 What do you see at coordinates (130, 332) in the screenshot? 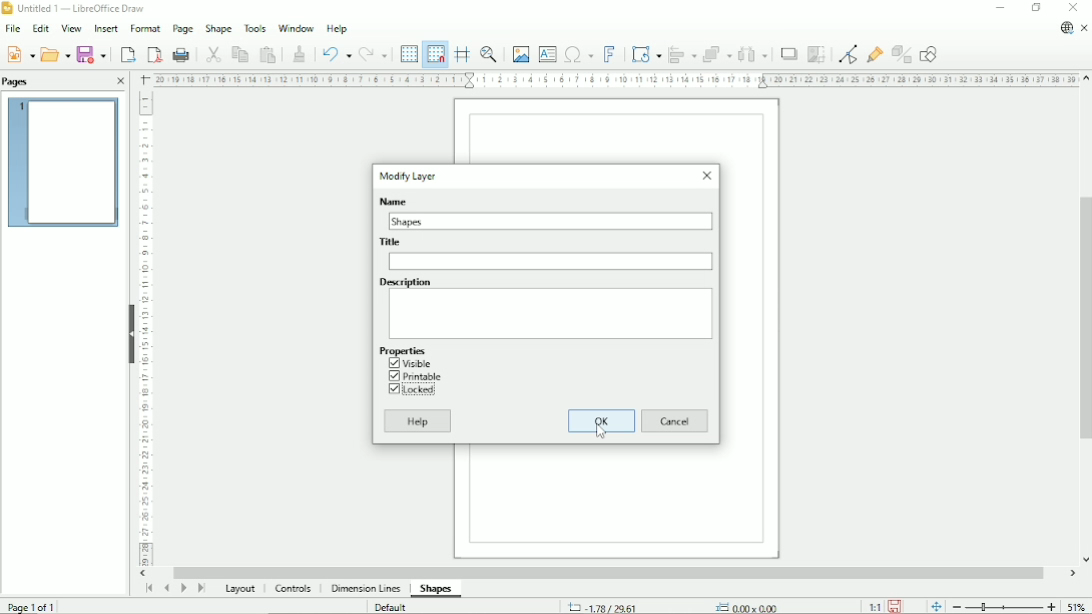
I see `Hide` at bounding box center [130, 332].